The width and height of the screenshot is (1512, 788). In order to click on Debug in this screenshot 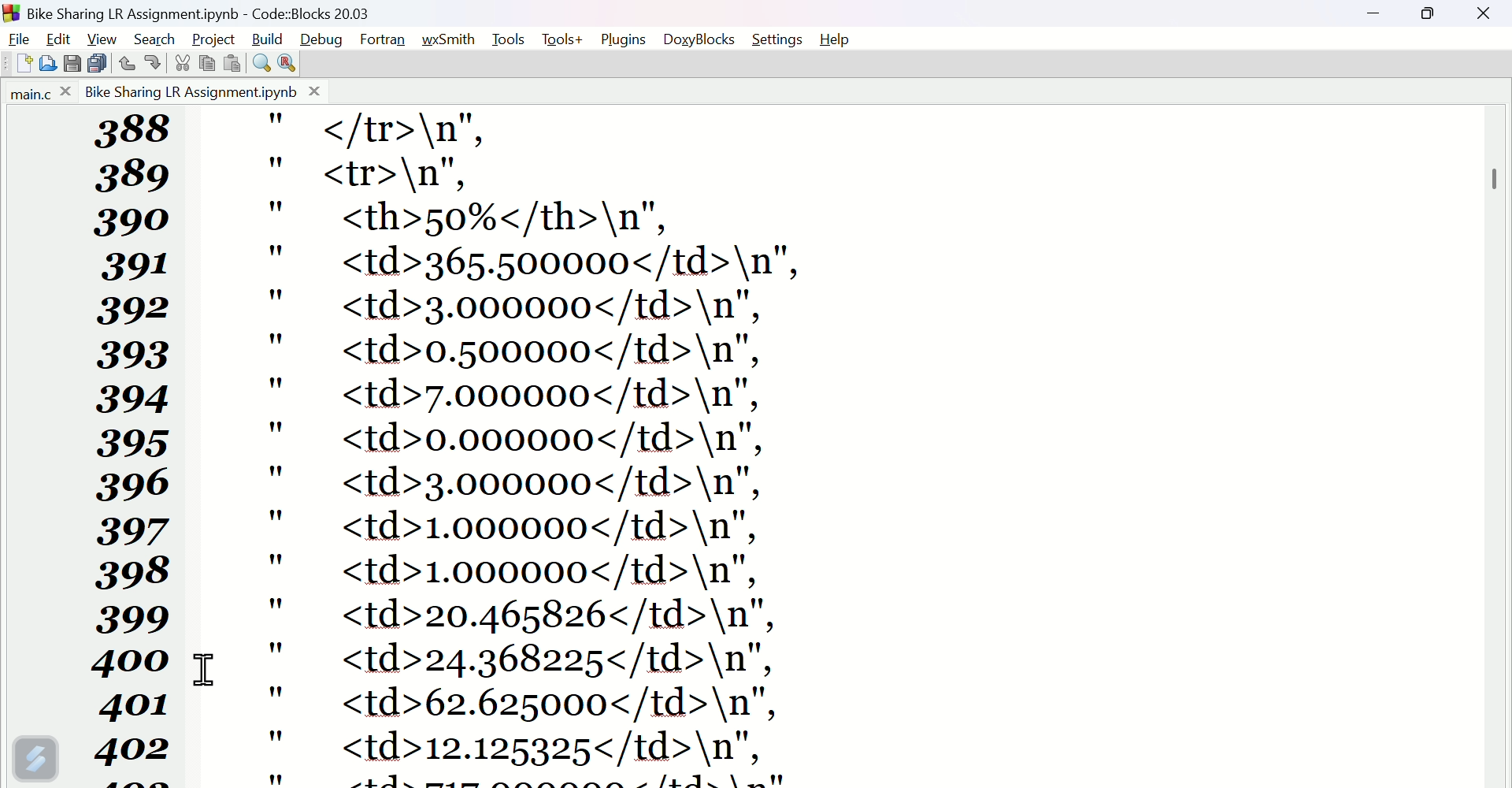, I will do `click(322, 39)`.